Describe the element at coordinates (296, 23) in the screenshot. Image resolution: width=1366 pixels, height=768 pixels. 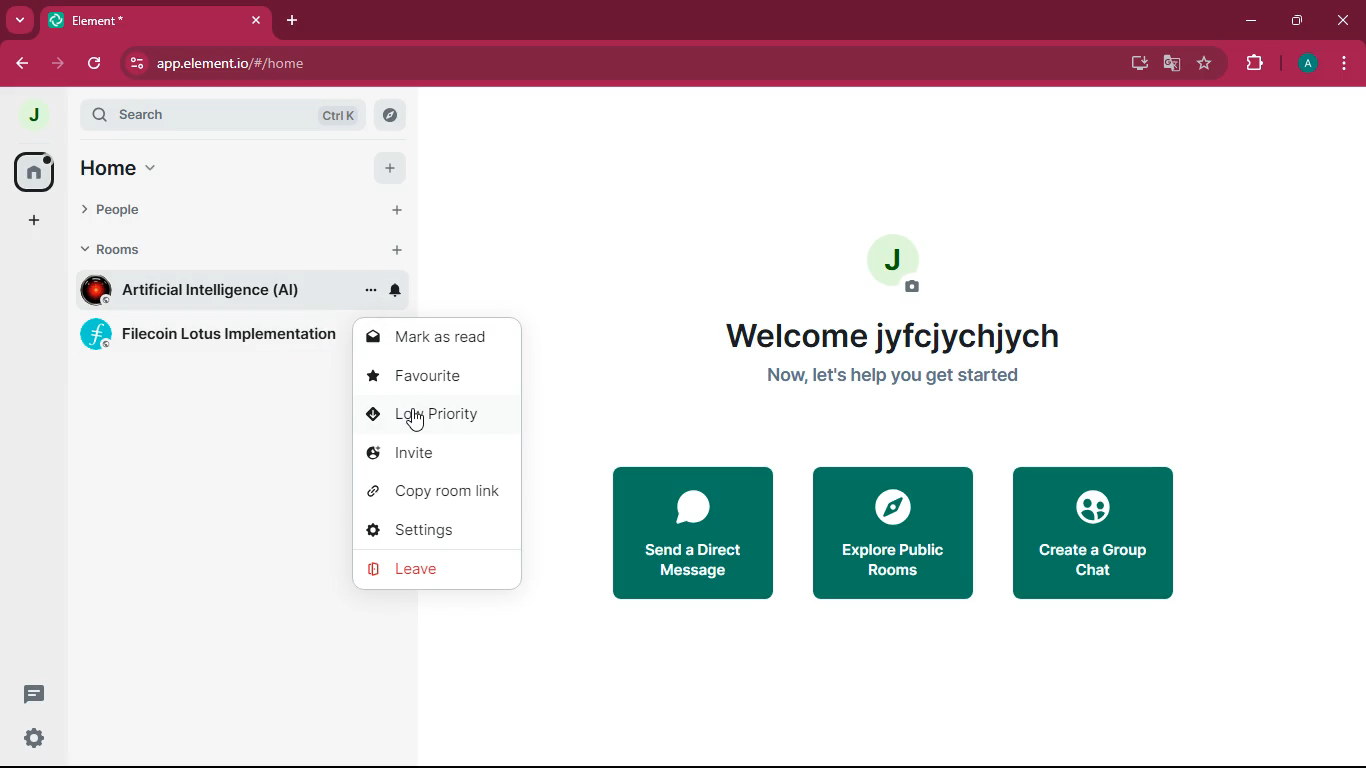
I see `add tab` at that location.